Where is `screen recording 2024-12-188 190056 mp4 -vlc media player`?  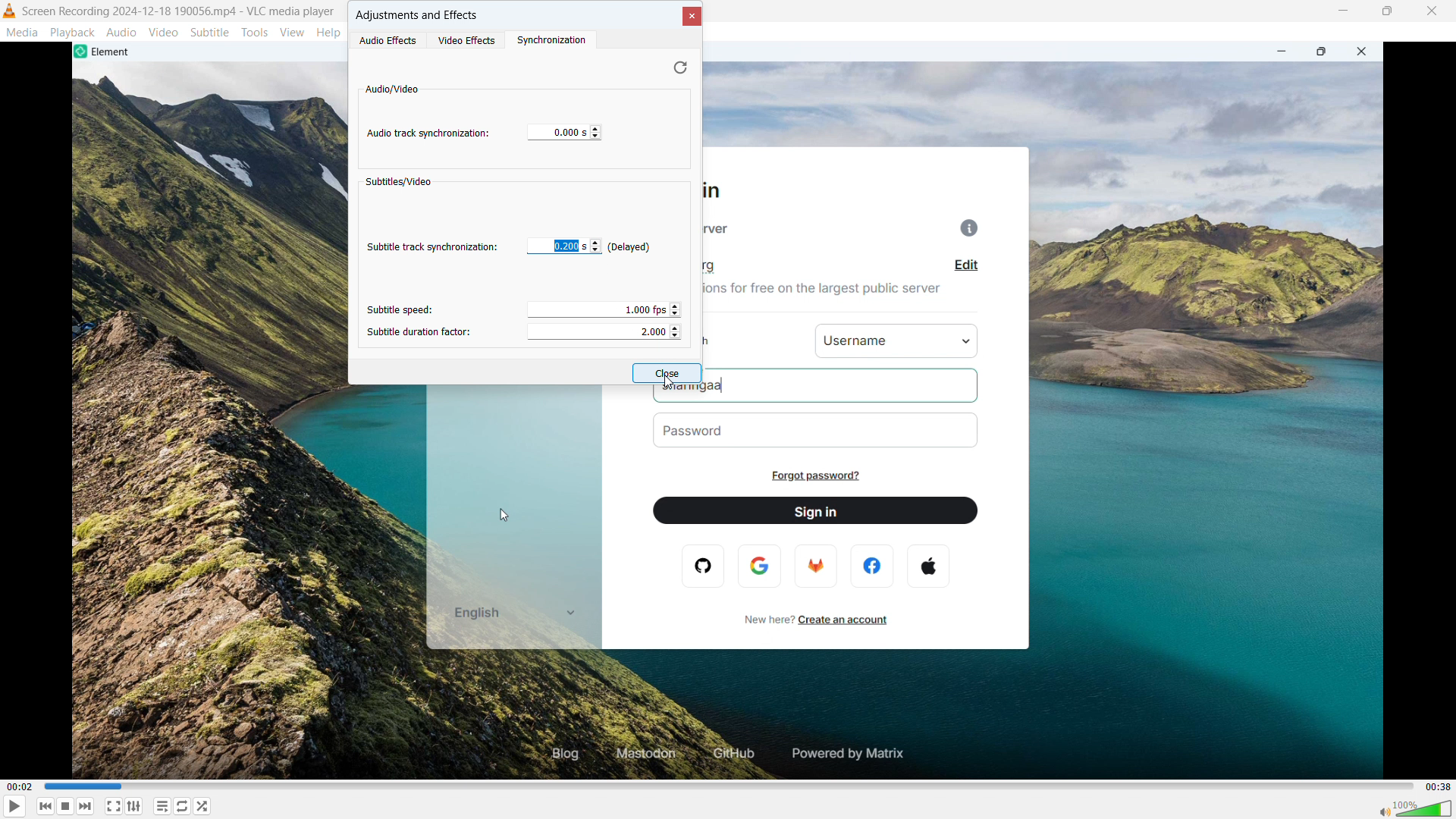
screen recording 2024-12-188 190056 mp4 -vlc media player is located at coordinates (181, 10).